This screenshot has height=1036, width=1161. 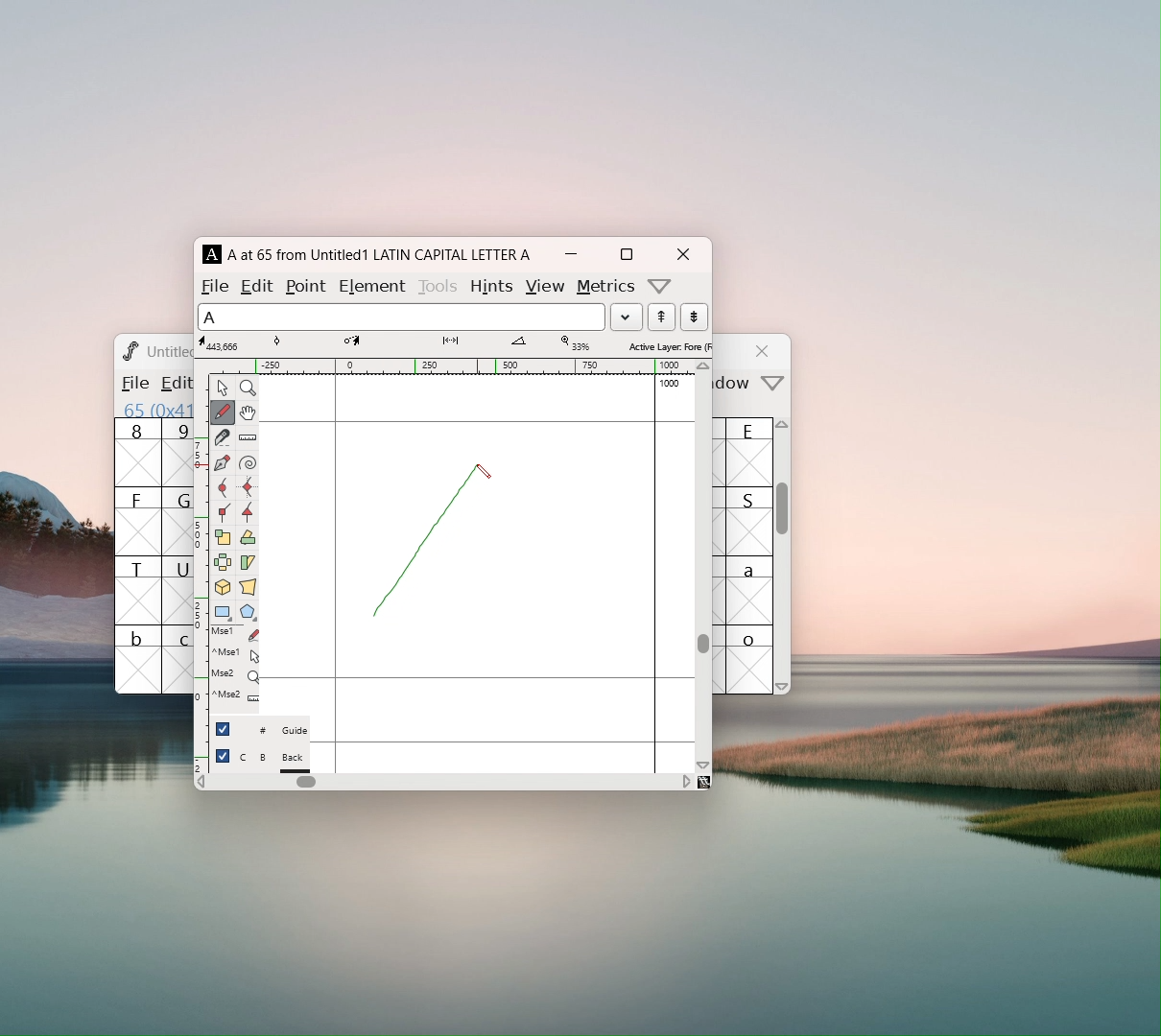 I want to click on hints, so click(x=490, y=286).